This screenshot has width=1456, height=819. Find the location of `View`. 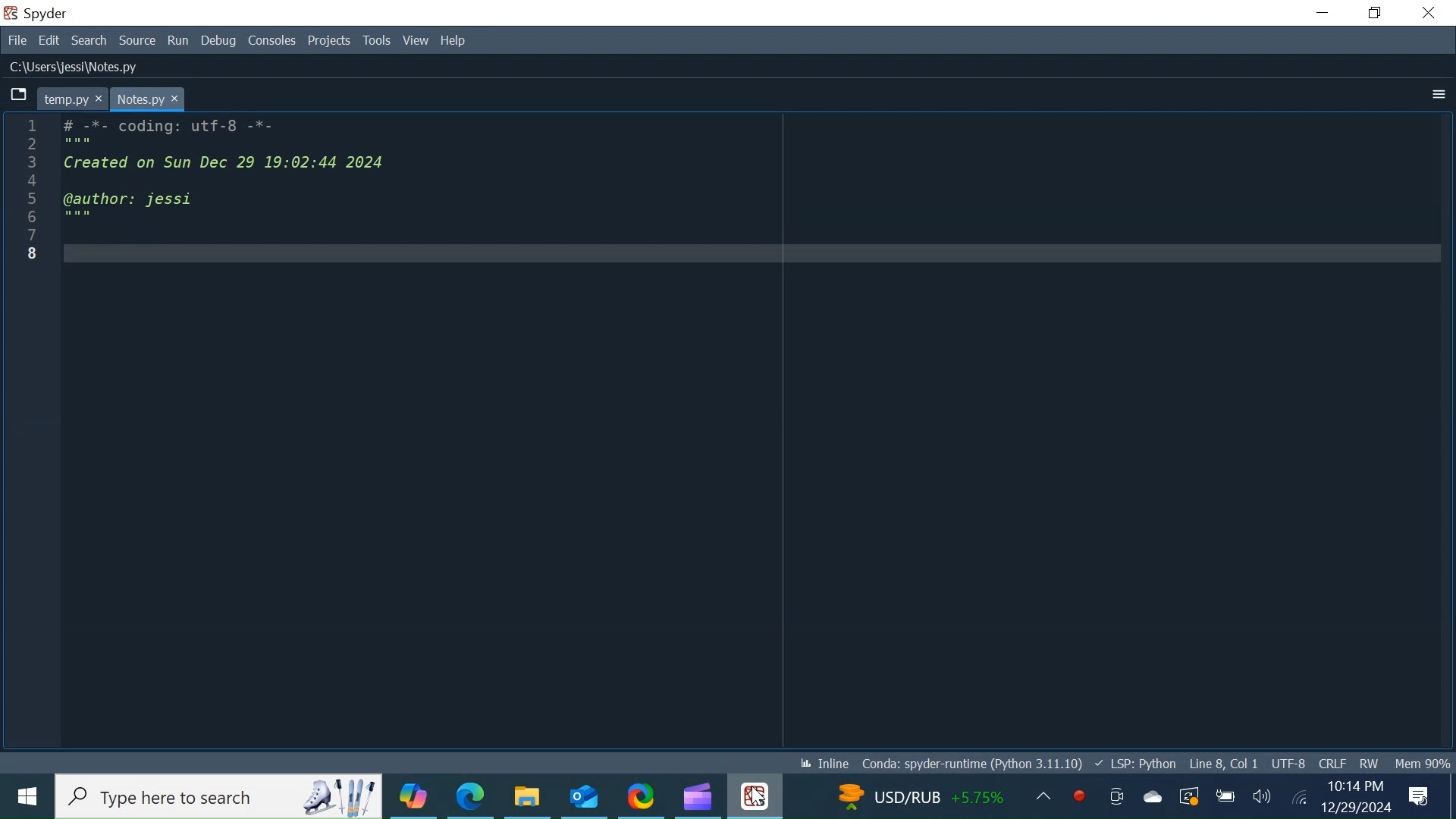

View is located at coordinates (416, 38).